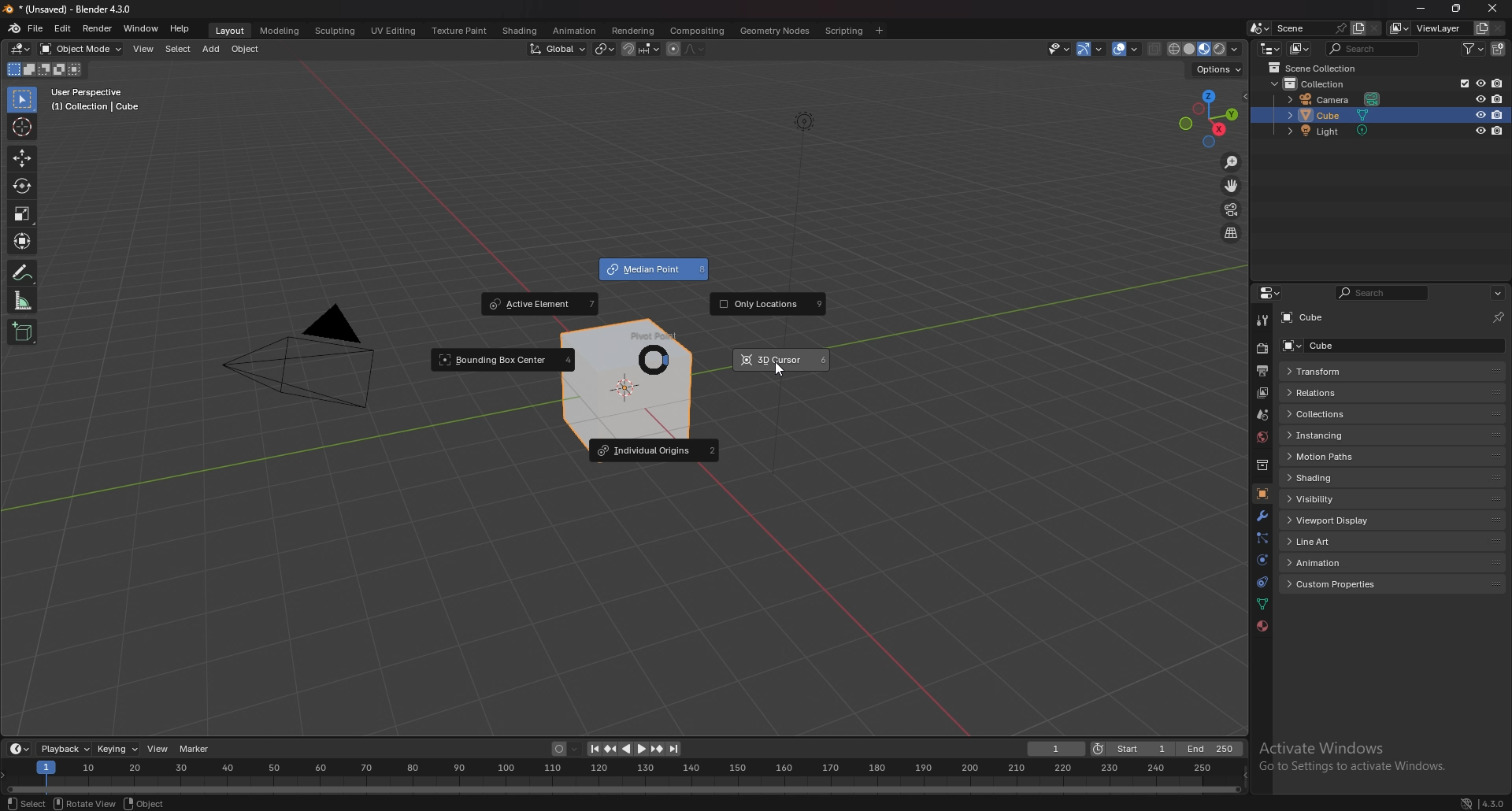  I want to click on title, so click(71, 9).